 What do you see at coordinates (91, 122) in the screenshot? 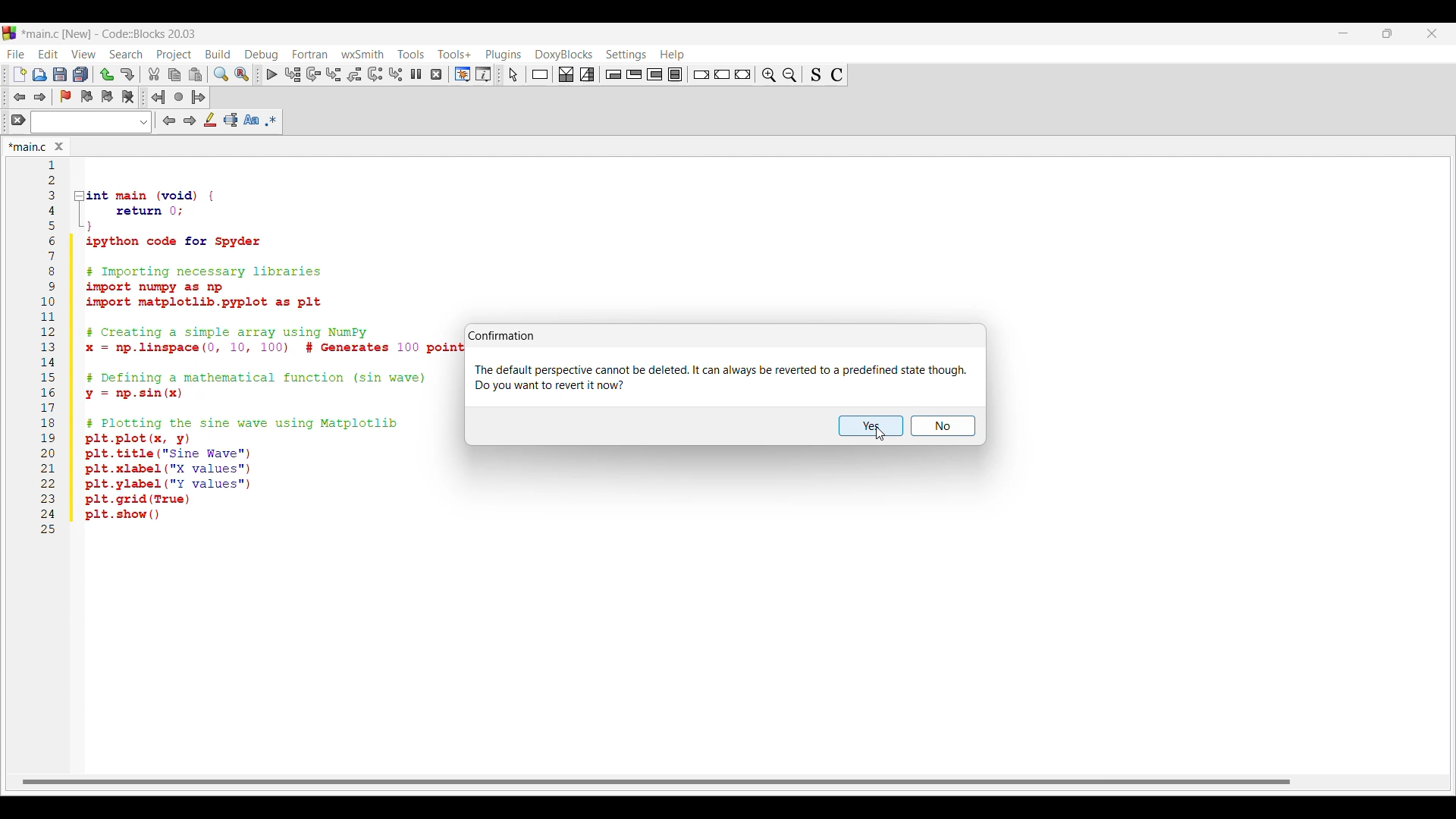
I see `Text box and text options` at bounding box center [91, 122].